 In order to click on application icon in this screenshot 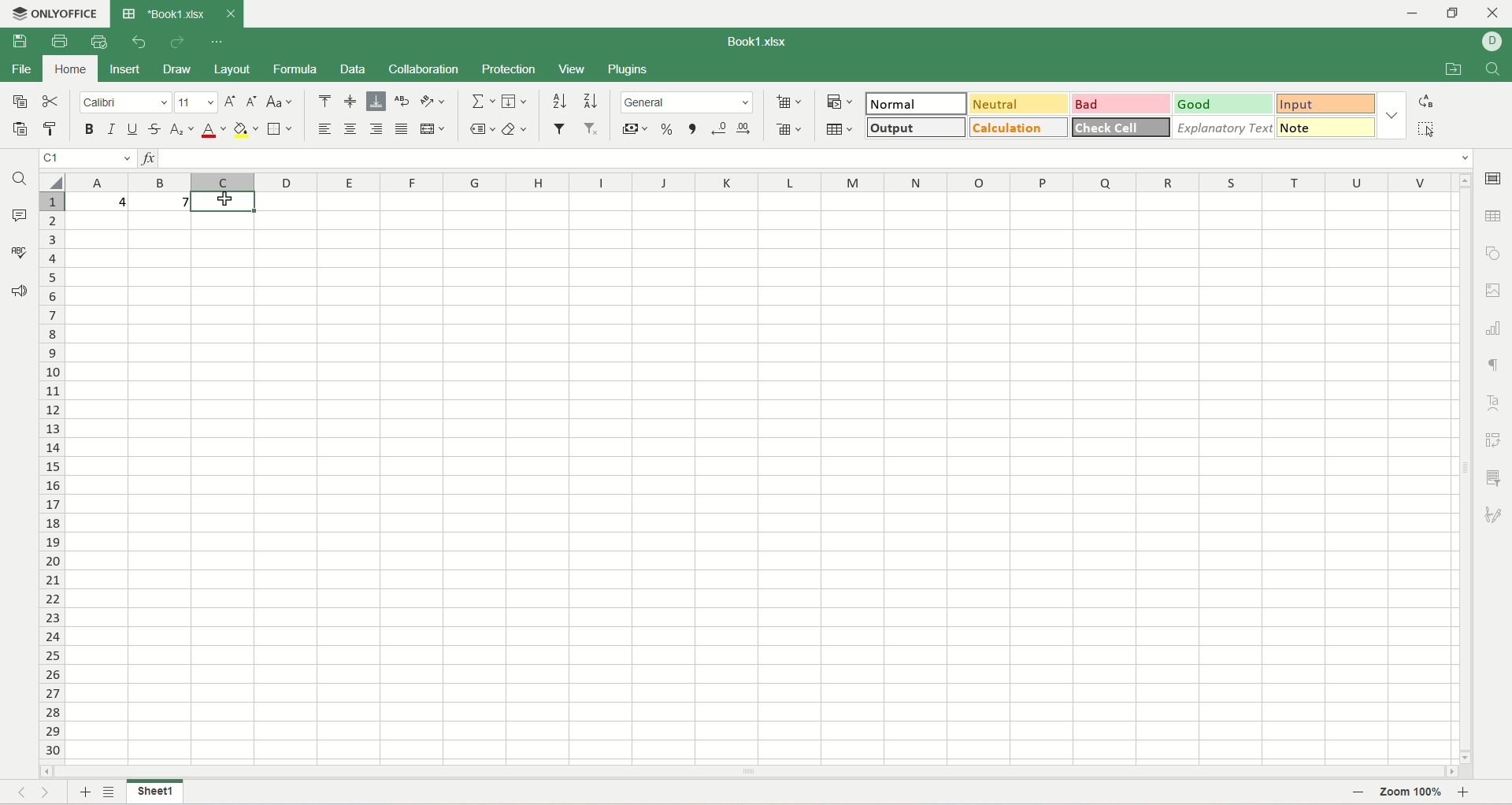, I will do `click(14, 12)`.